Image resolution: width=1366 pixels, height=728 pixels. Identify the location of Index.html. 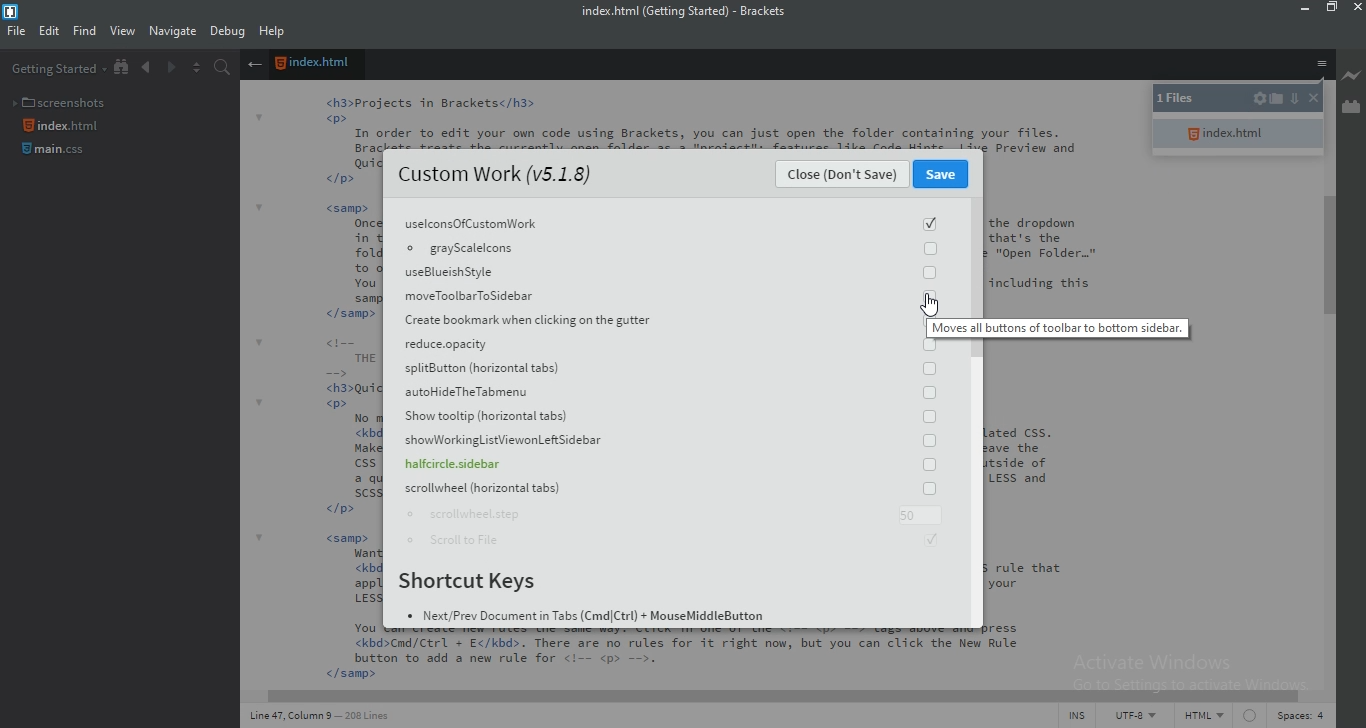
(64, 126).